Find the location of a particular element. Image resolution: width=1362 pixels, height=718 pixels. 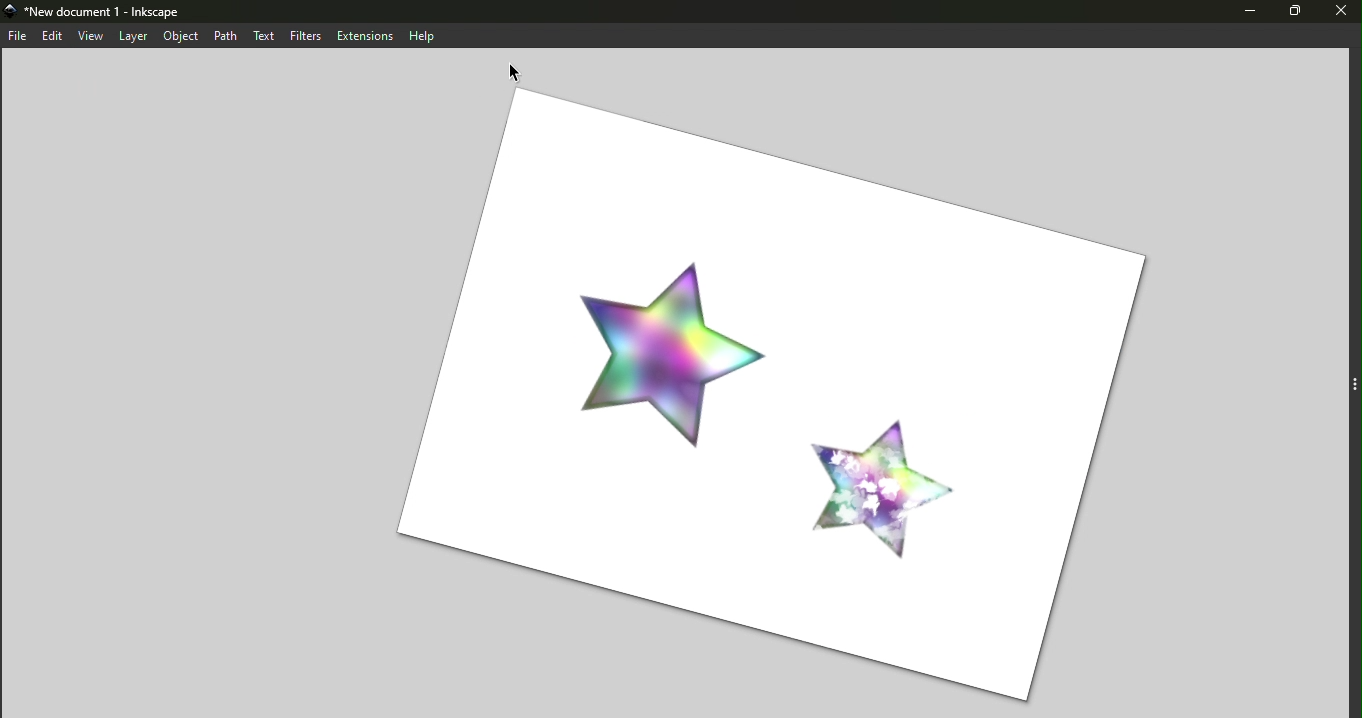

new document 1-inkscape is located at coordinates (101, 12).